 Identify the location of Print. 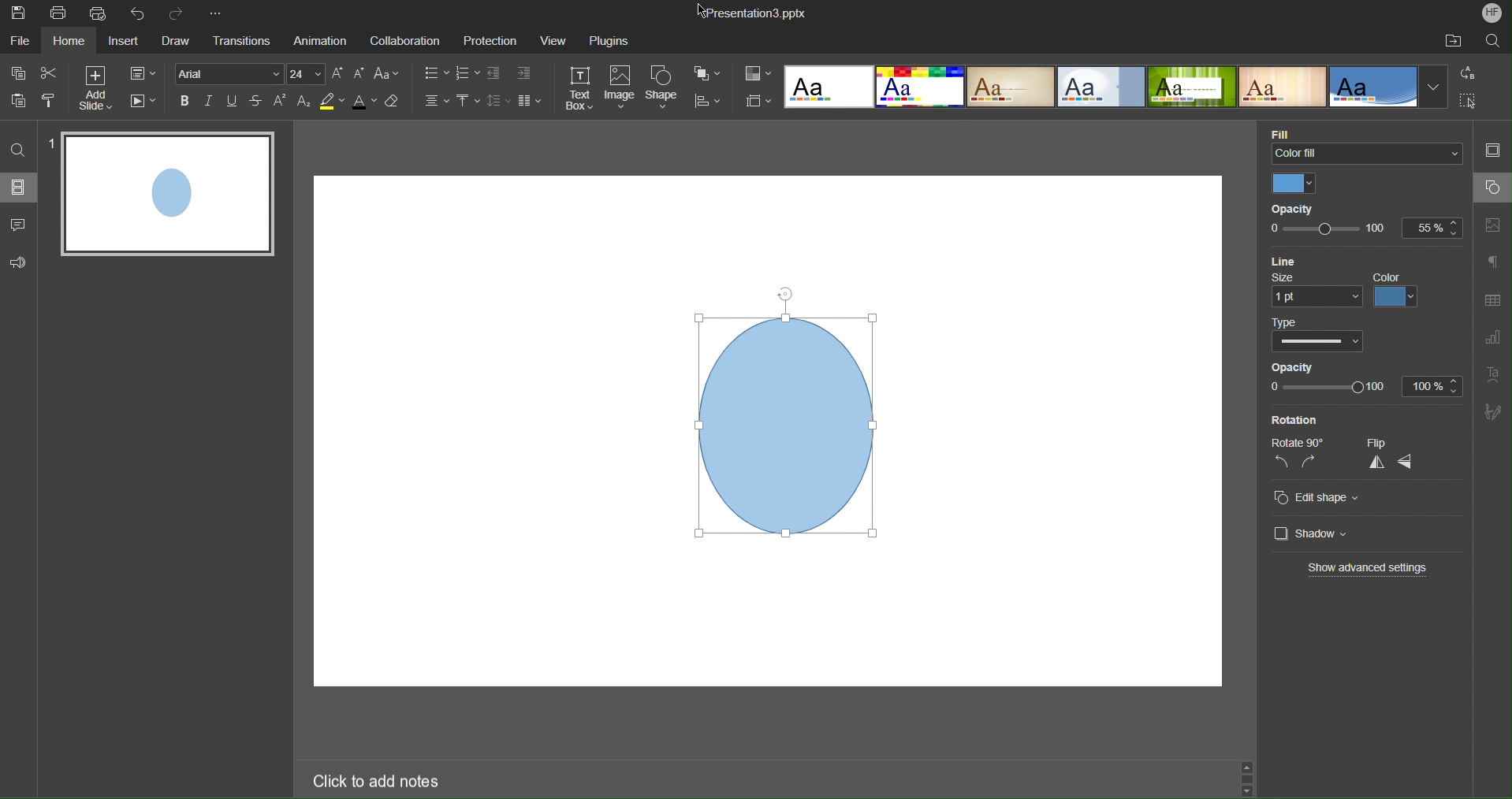
(58, 12).